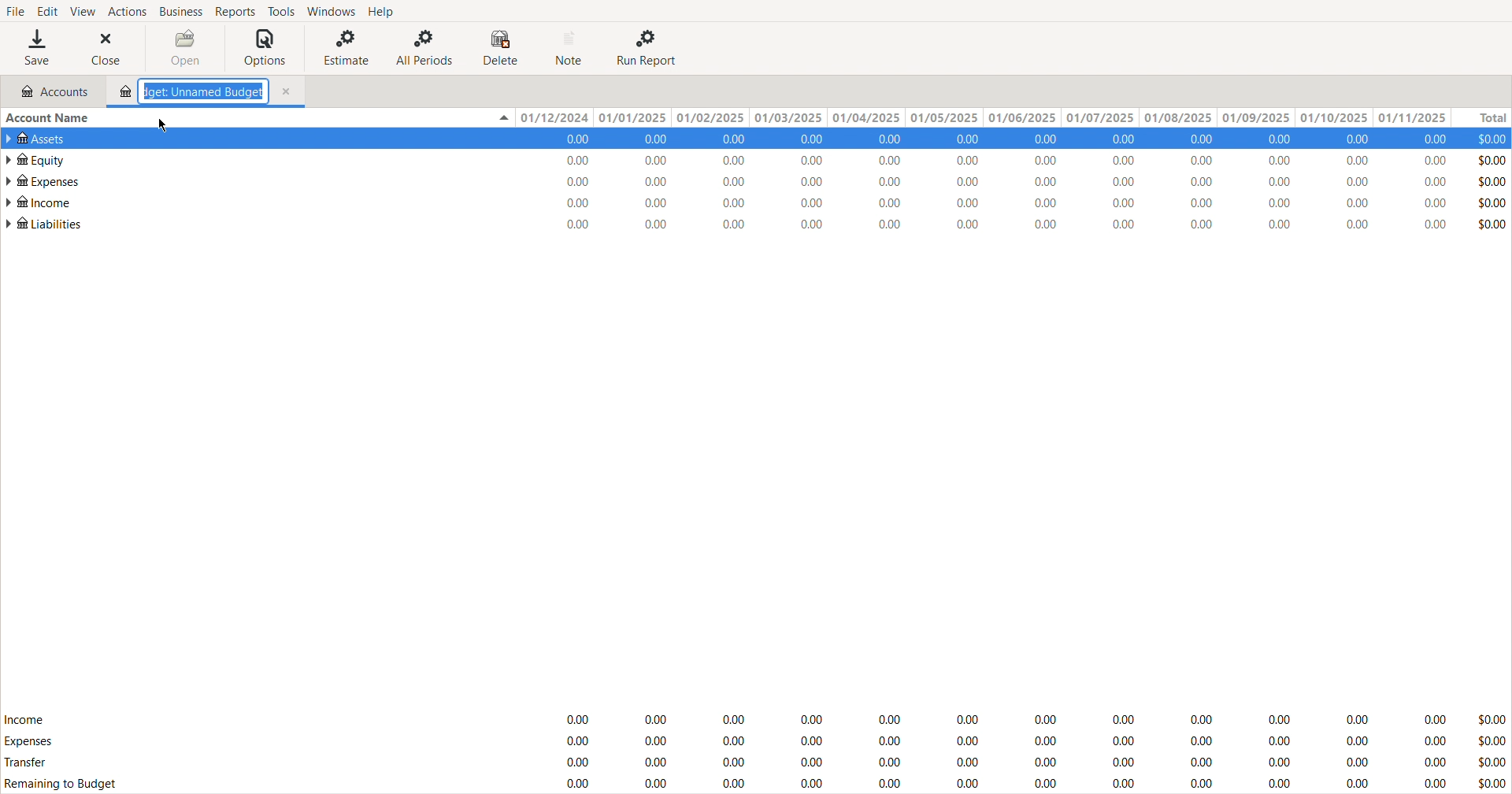 The image size is (1512, 794). I want to click on Equity, so click(35, 155).